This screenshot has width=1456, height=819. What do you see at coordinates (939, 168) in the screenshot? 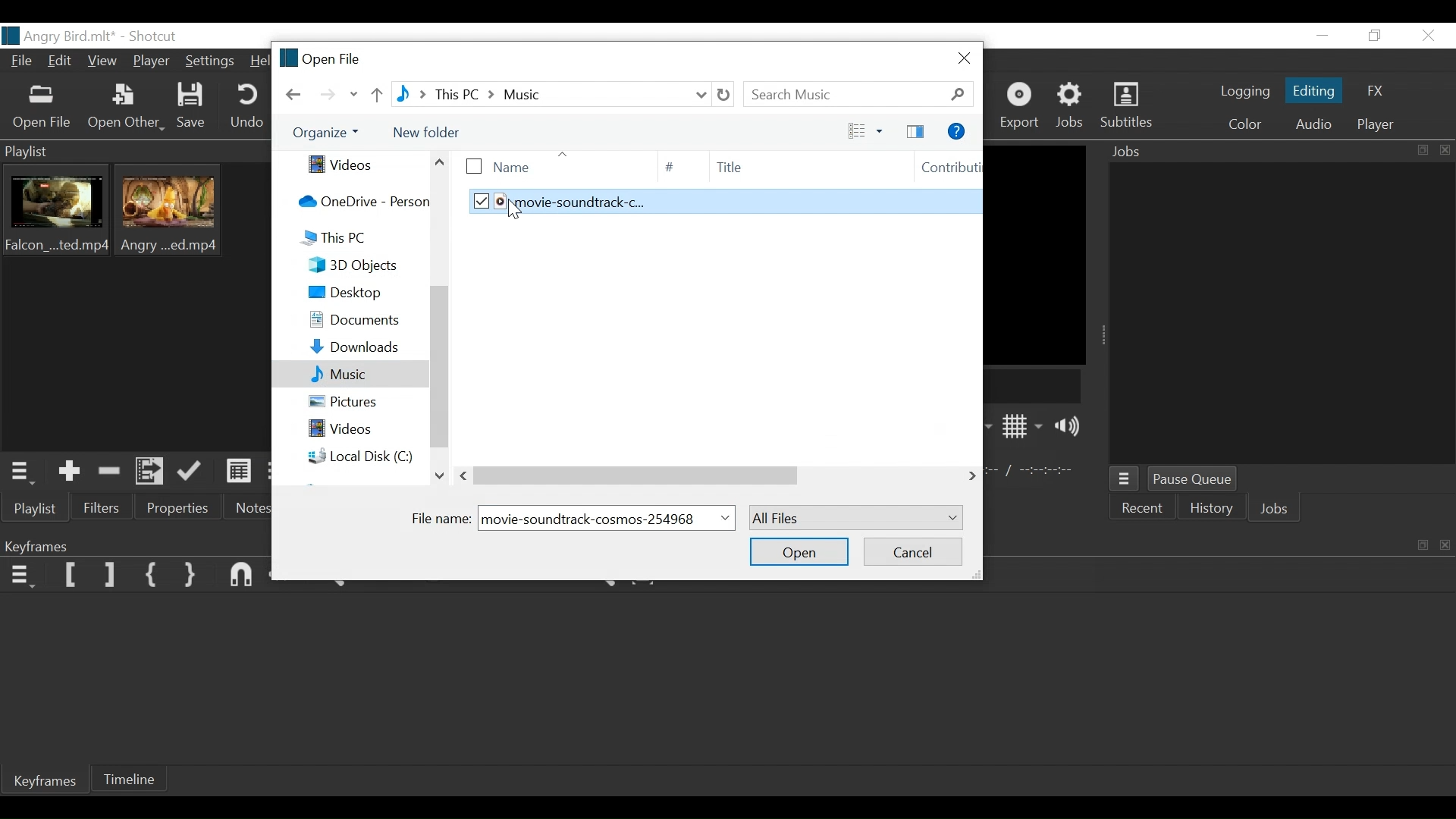
I see `Contribute` at bounding box center [939, 168].